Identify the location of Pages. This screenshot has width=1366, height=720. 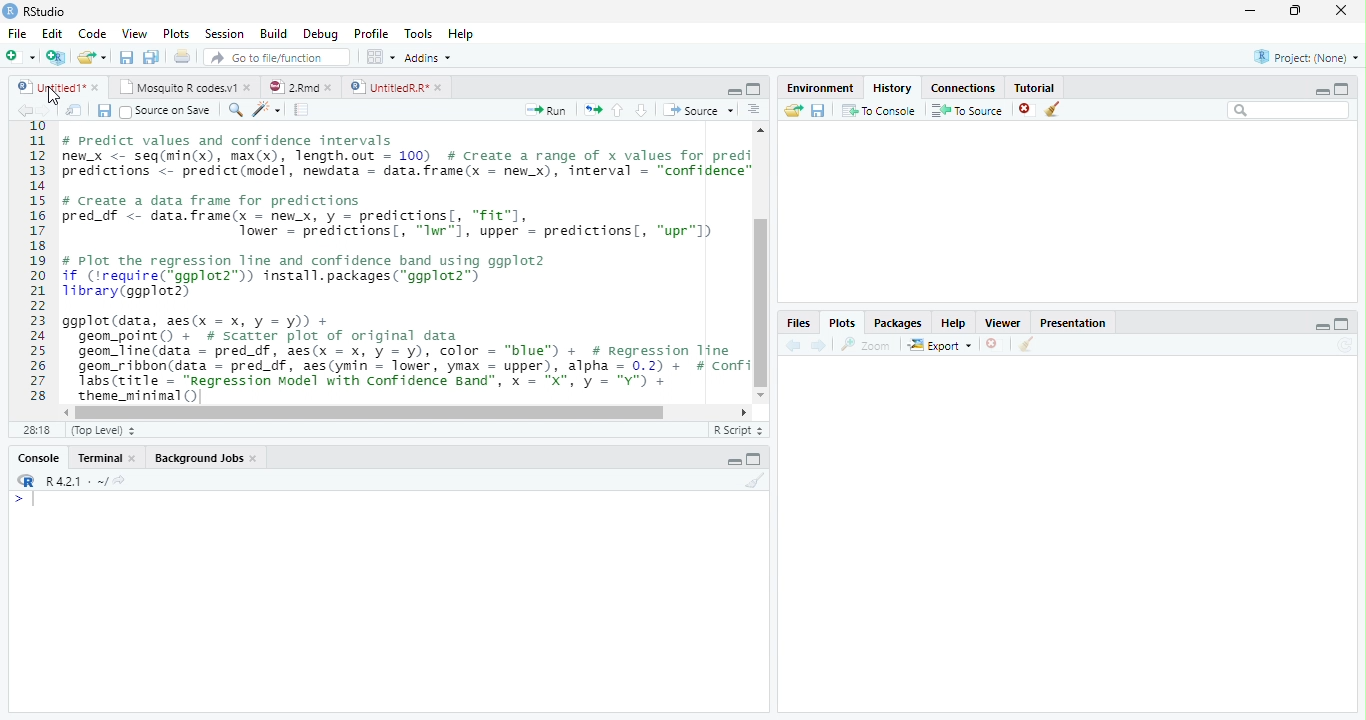
(305, 111).